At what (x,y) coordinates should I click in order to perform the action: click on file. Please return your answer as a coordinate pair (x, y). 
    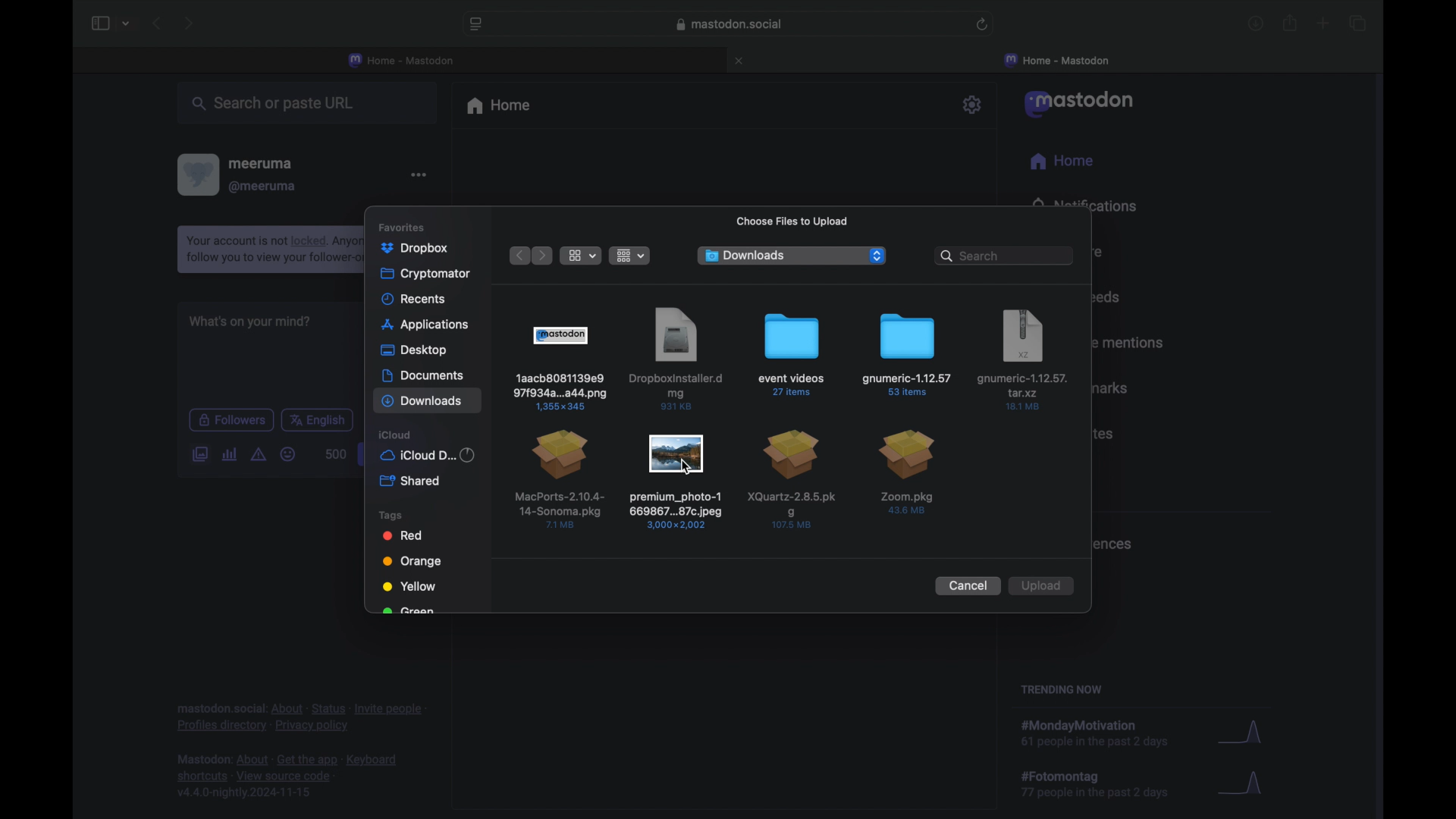
    Looking at the image, I should click on (909, 473).